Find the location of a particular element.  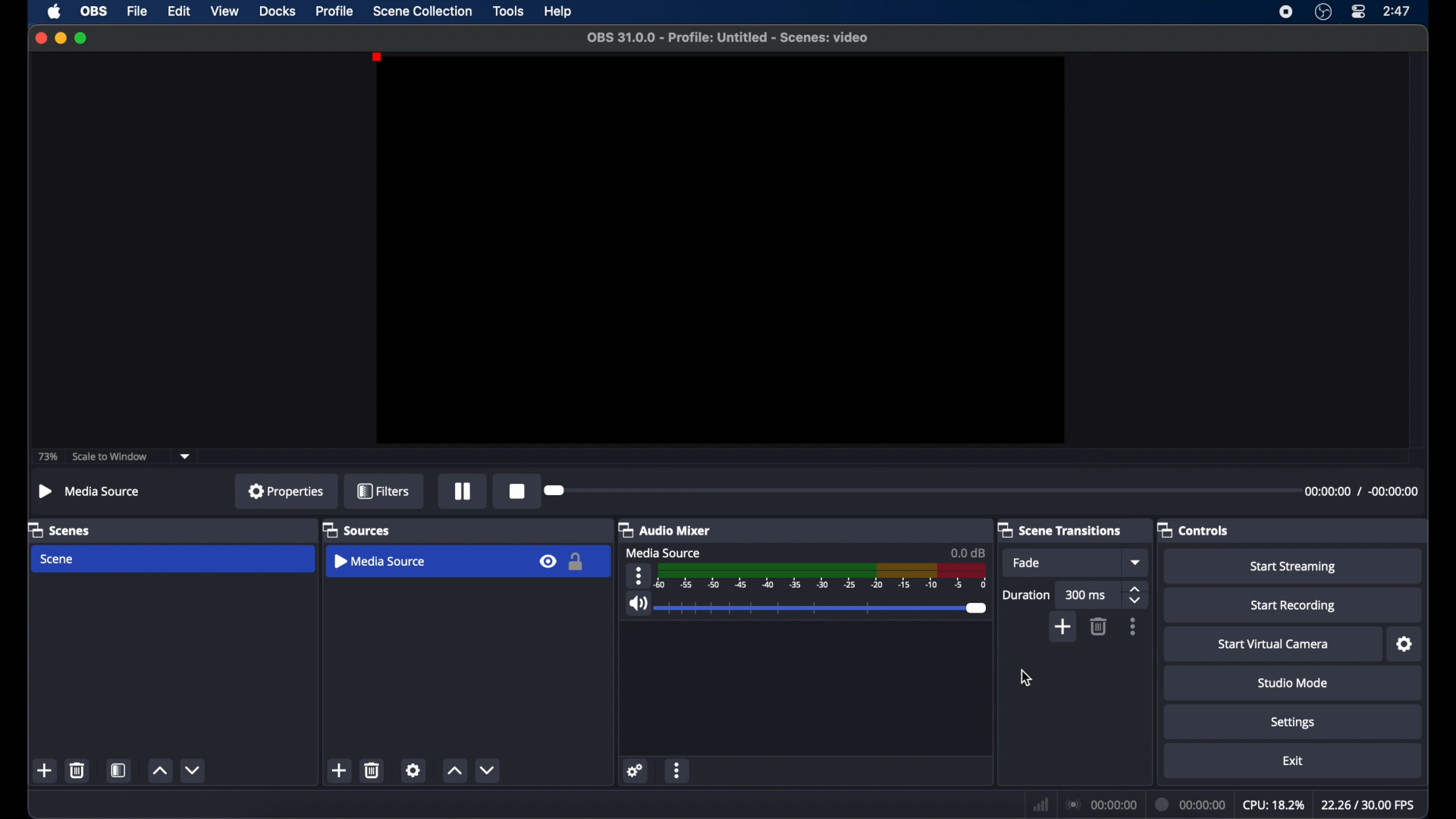

Pause is located at coordinates (461, 490).